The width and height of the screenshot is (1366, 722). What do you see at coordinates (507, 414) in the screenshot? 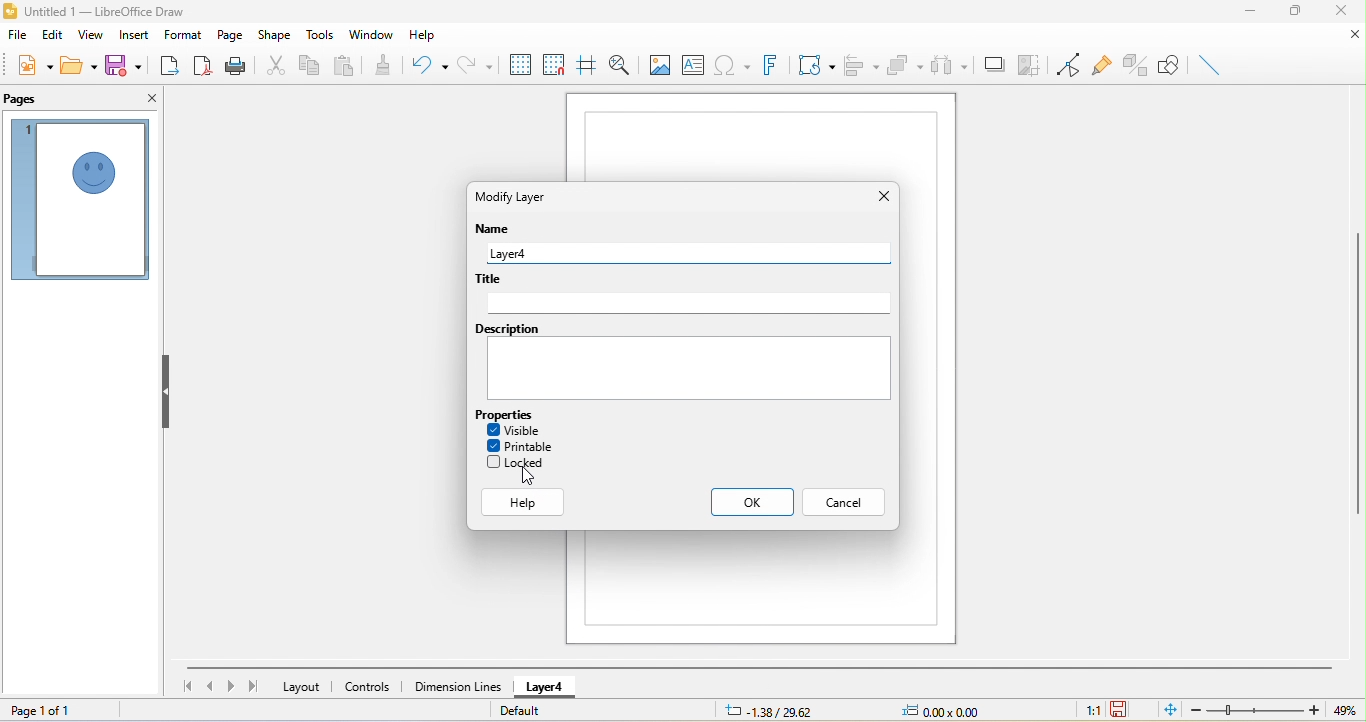
I see `properties` at bounding box center [507, 414].